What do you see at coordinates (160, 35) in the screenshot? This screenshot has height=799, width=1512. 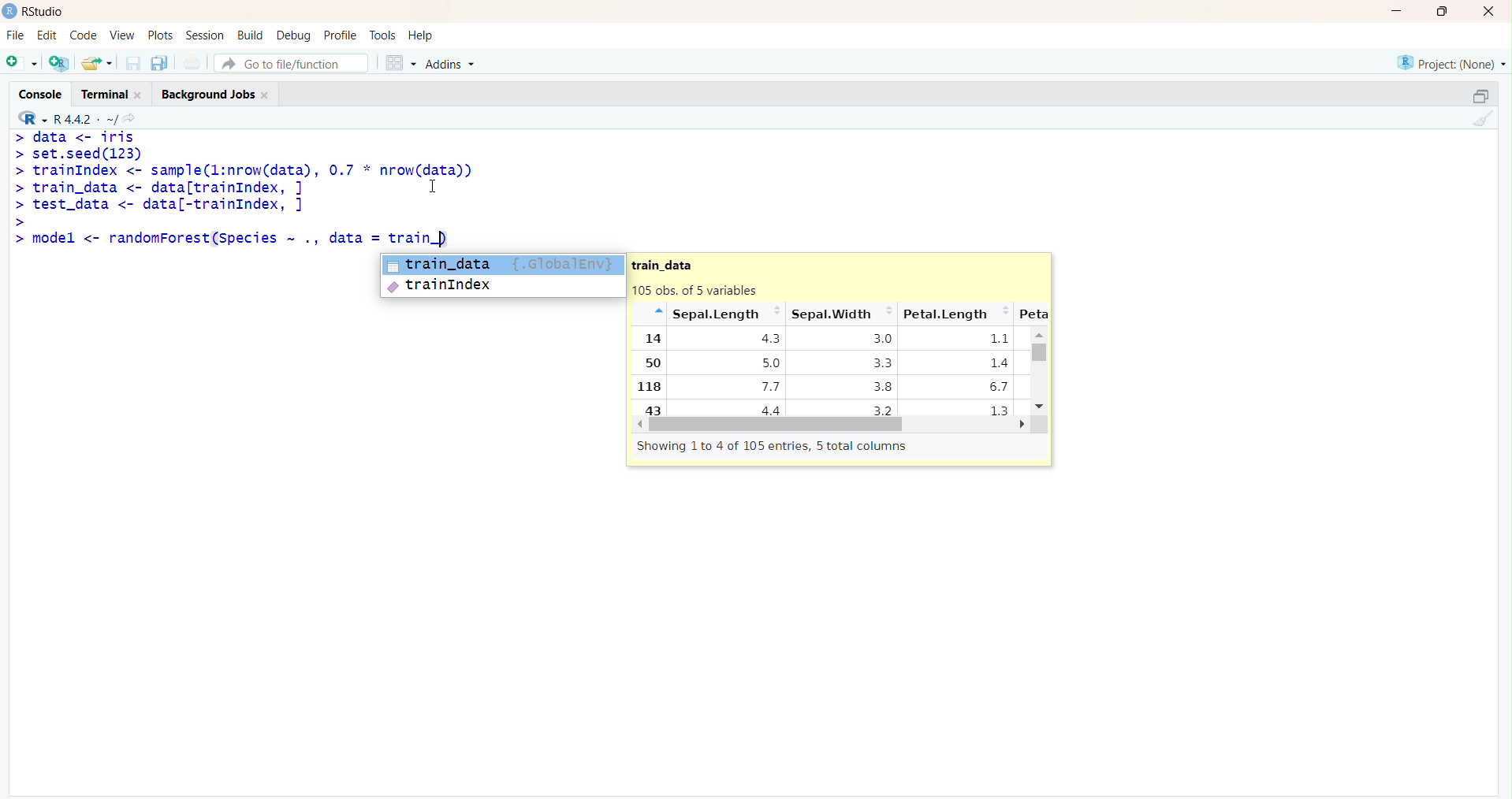 I see `Plots` at bounding box center [160, 35].